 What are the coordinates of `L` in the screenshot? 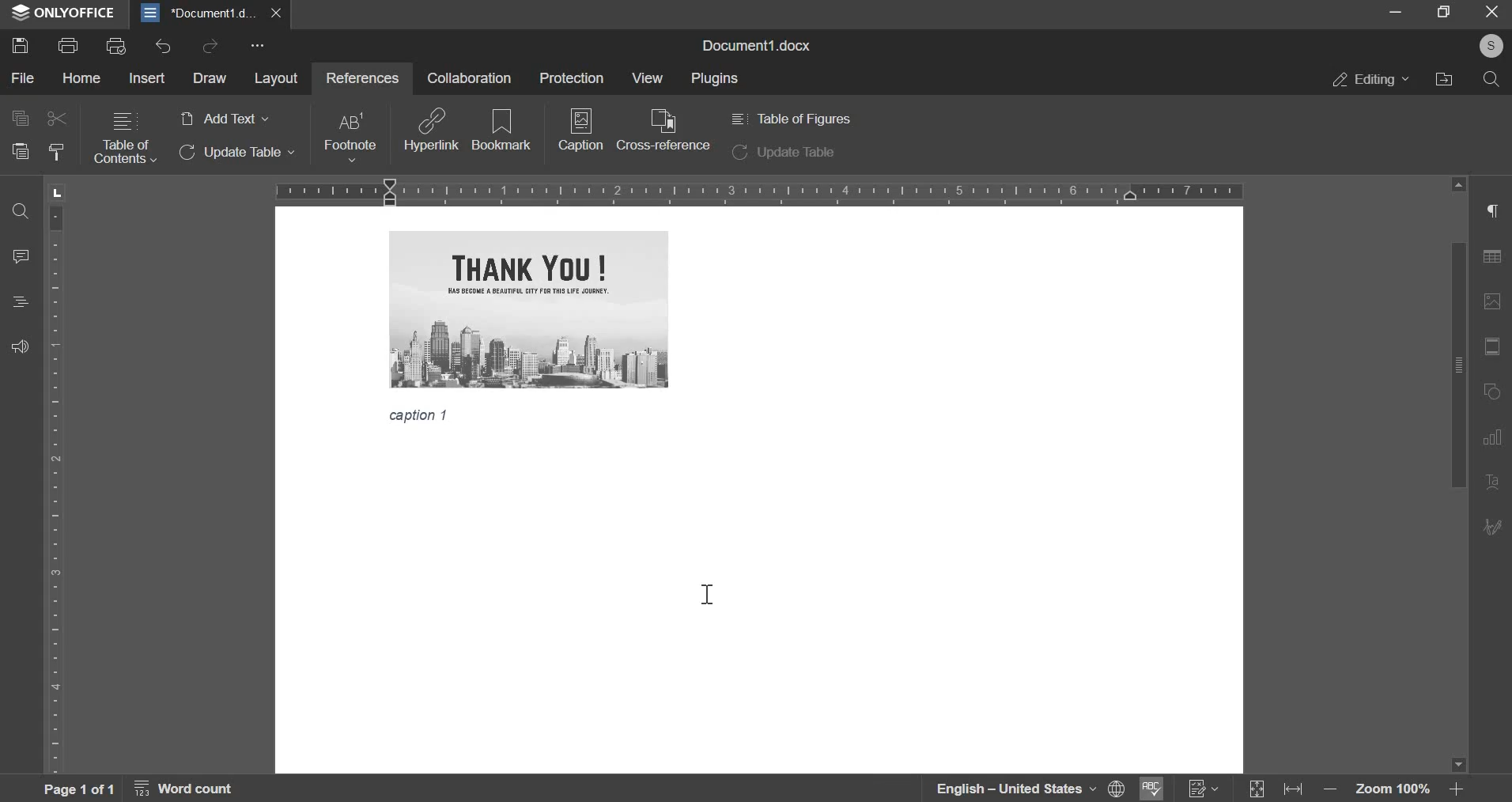 It's located at (60, 192).